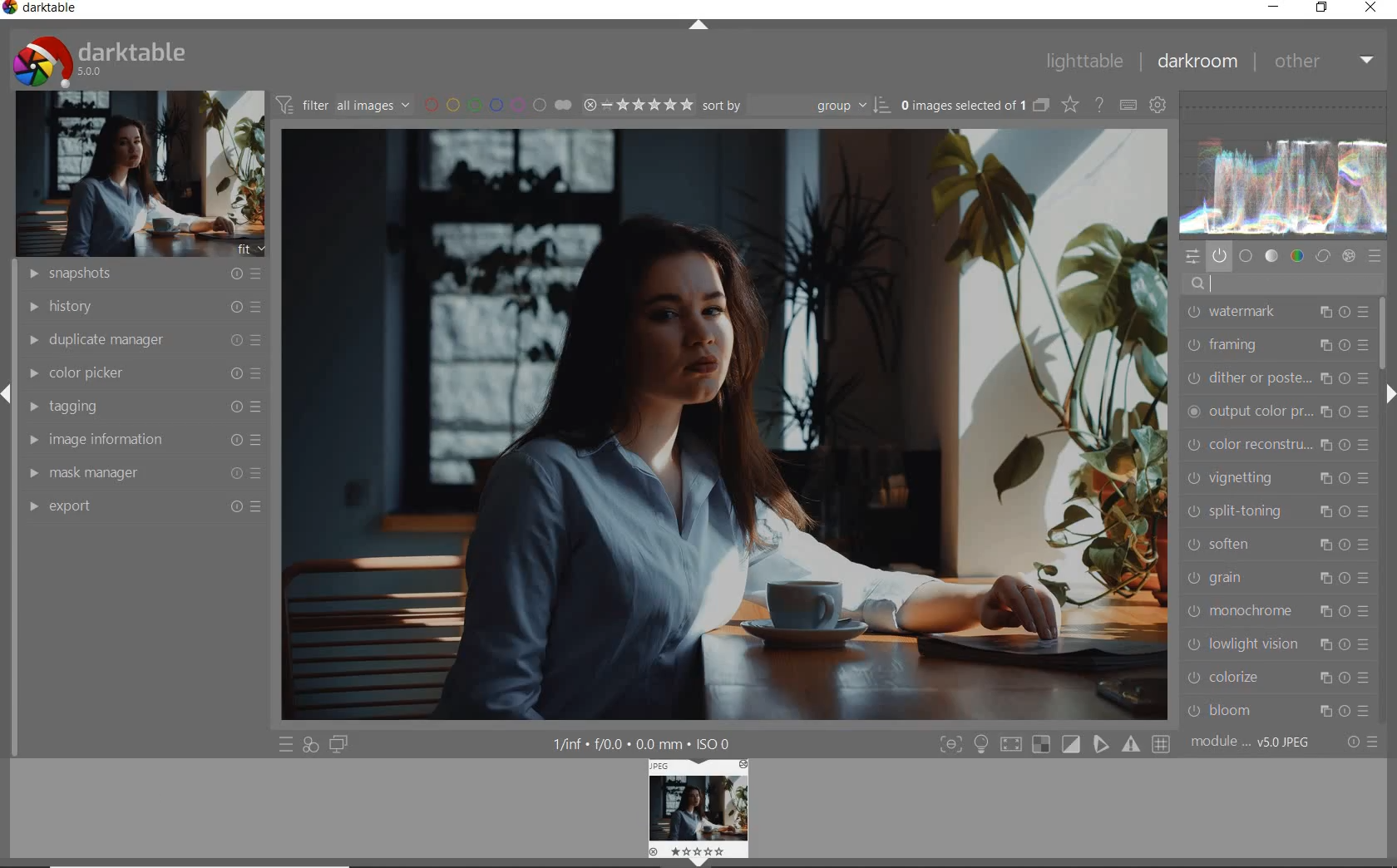 This screenshot has height=868, width=1397. I want to click on restore, so click(1324, 8).